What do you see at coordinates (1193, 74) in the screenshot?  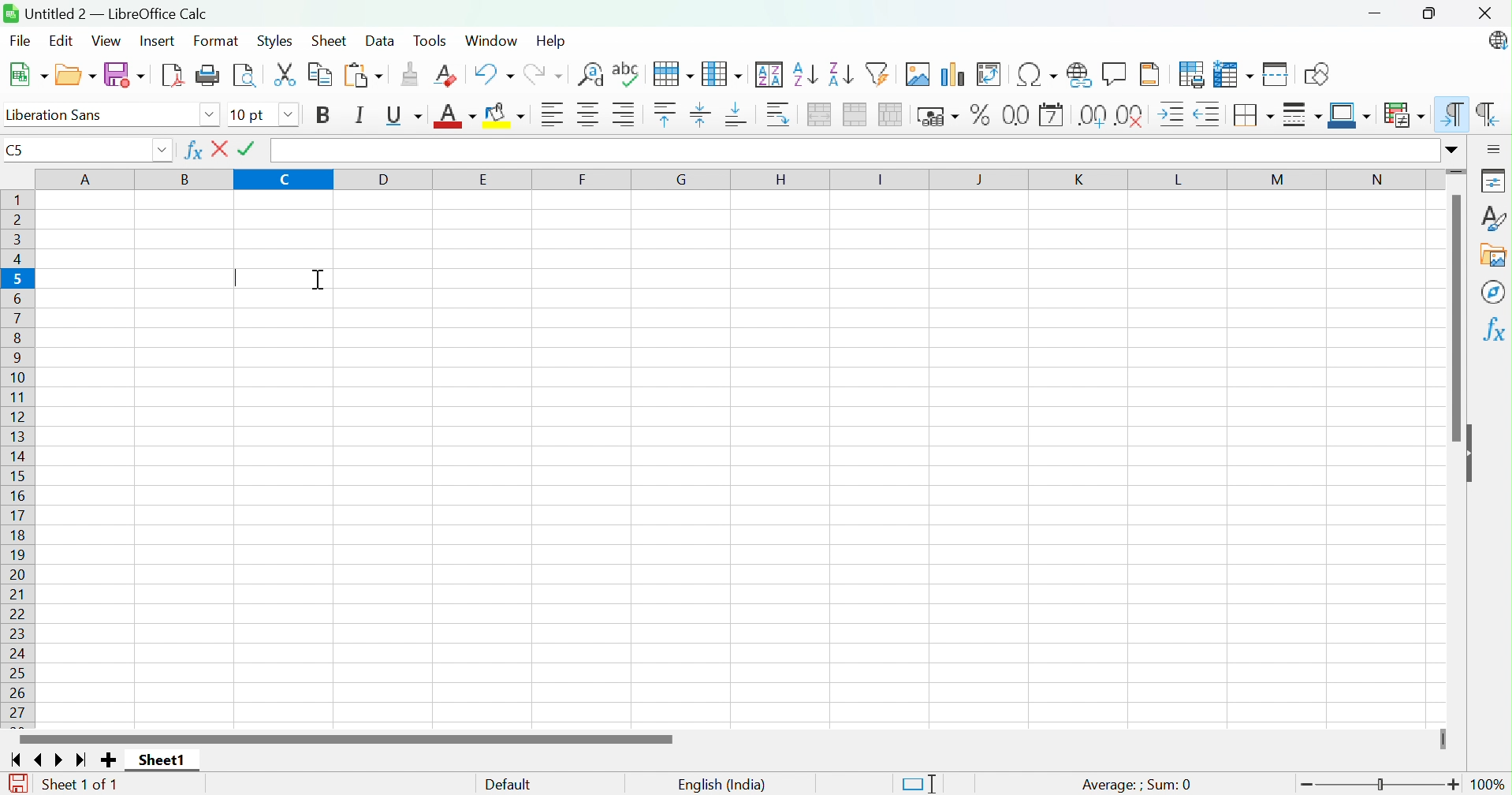 I see `Define print area` at bounding box center [1193, 74].